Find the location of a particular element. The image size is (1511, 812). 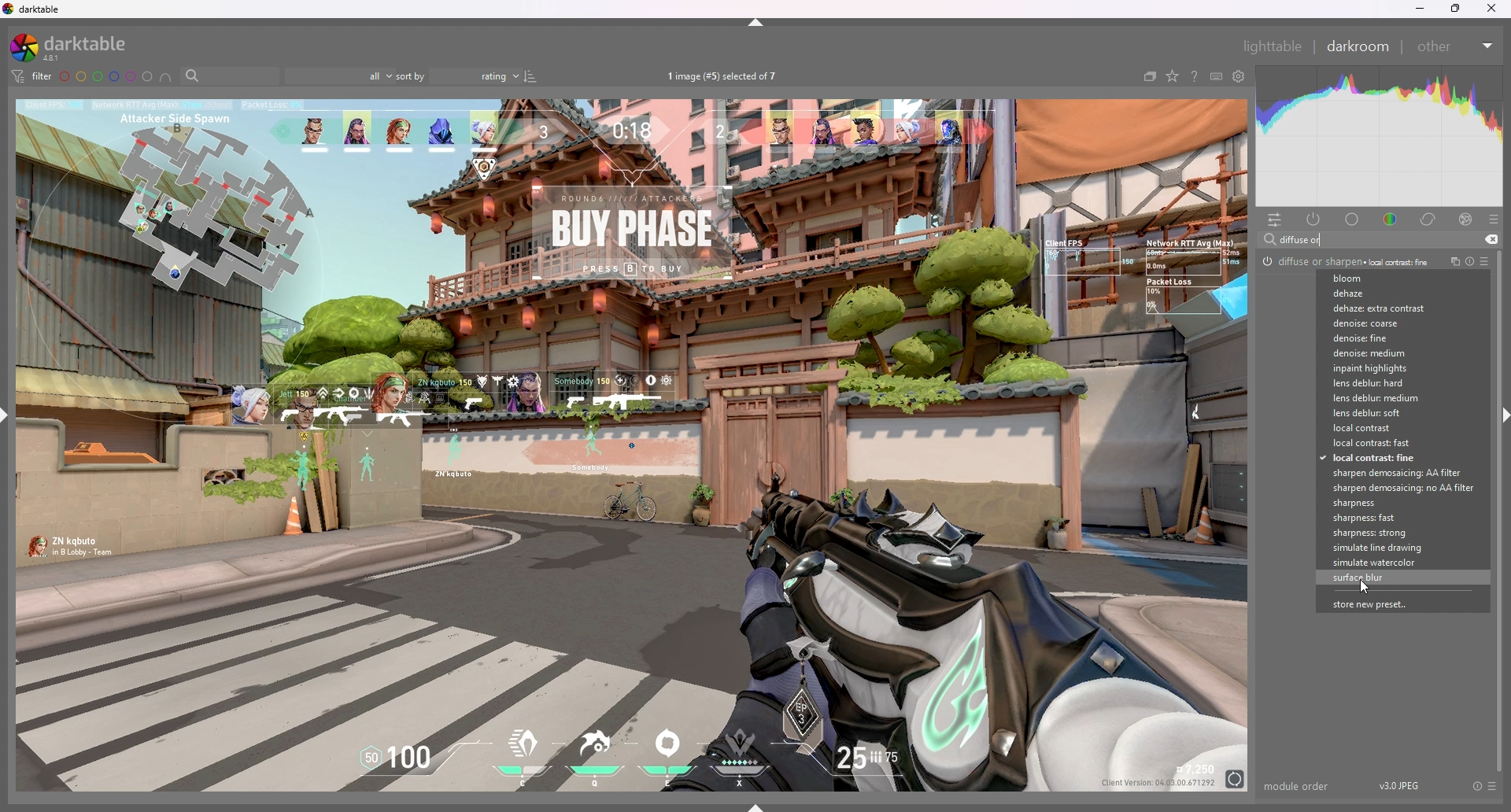

color label is located at coordinates (105, 76).